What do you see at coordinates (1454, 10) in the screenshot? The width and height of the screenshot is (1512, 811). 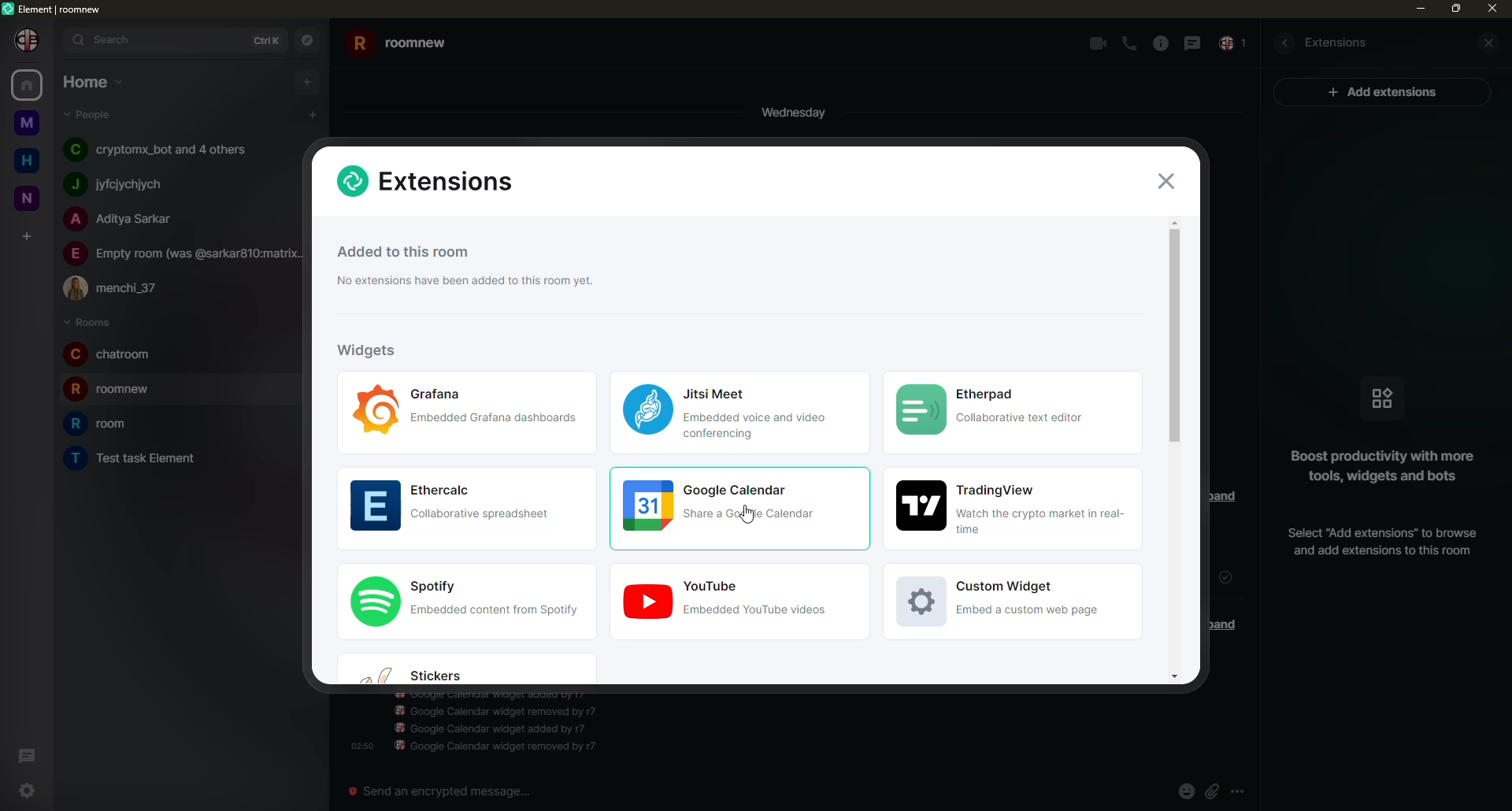 I see `max` at bounding box center [1454, 10].